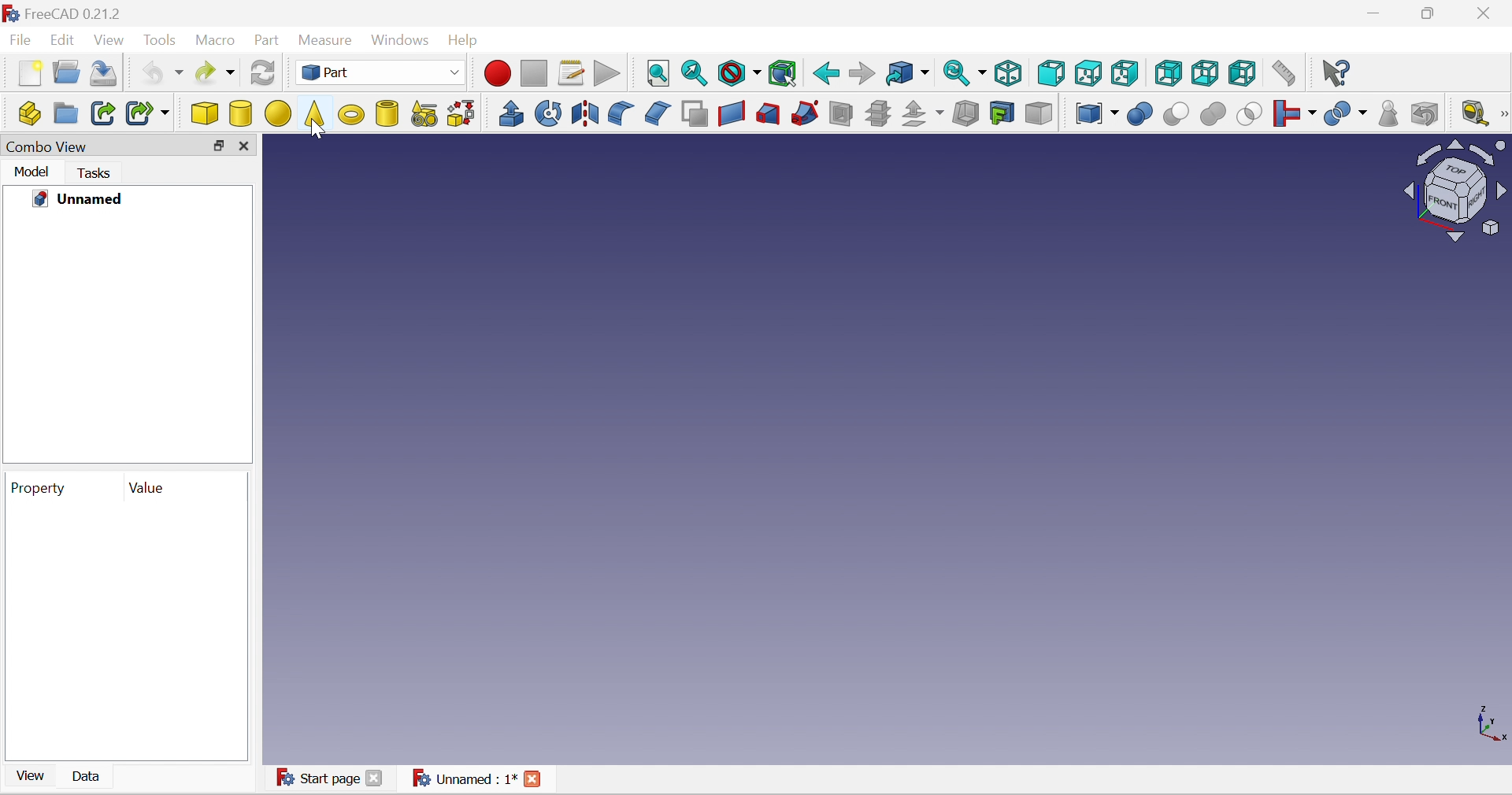 Image resolution: width=1512 pixels, height=795 pixels. What do you see at coordinates (388, 114) in the screenshot?
I see `Create tube` at bounding box center [388, 114].